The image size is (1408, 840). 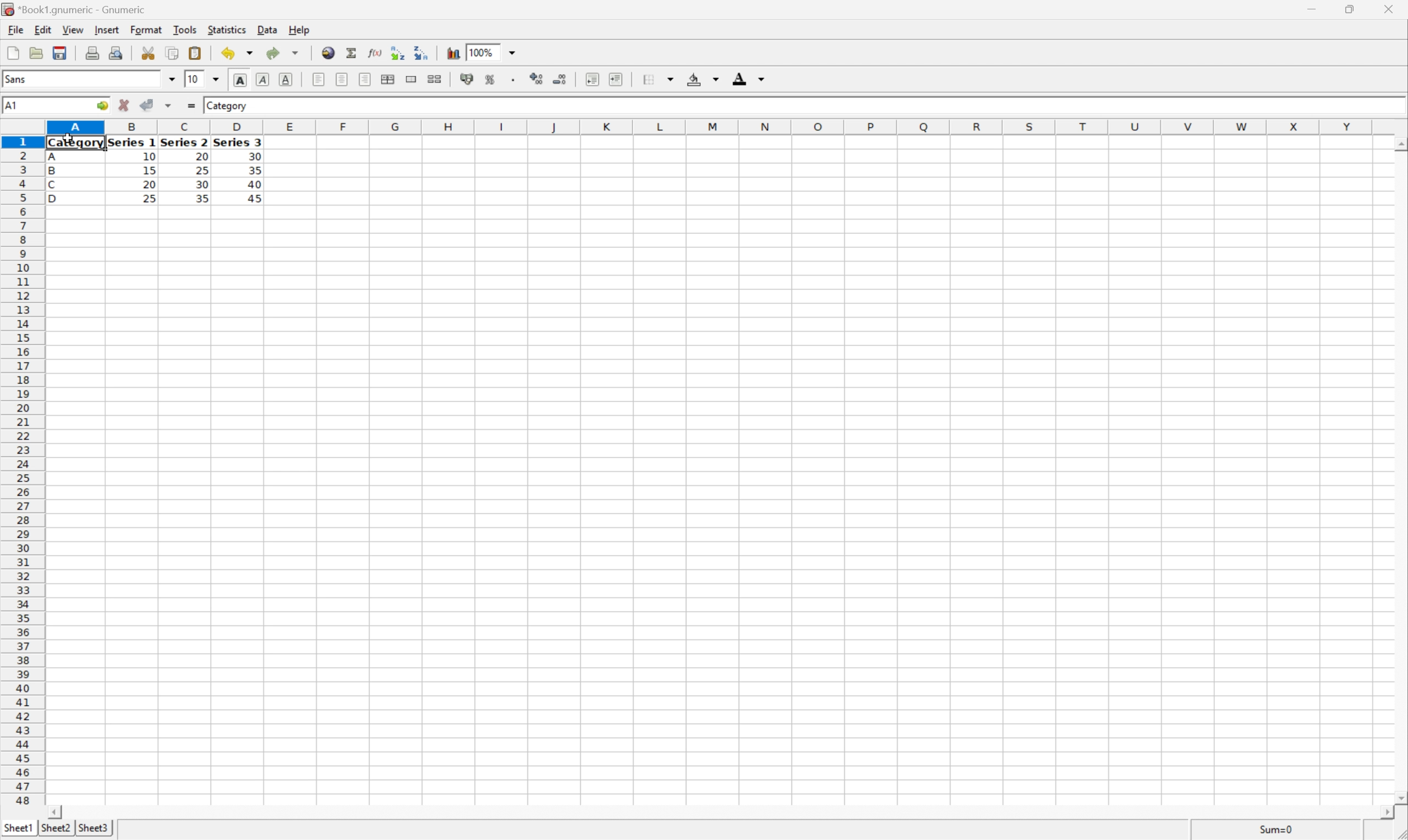 I want to click on Category, so click(x=76, y=144).